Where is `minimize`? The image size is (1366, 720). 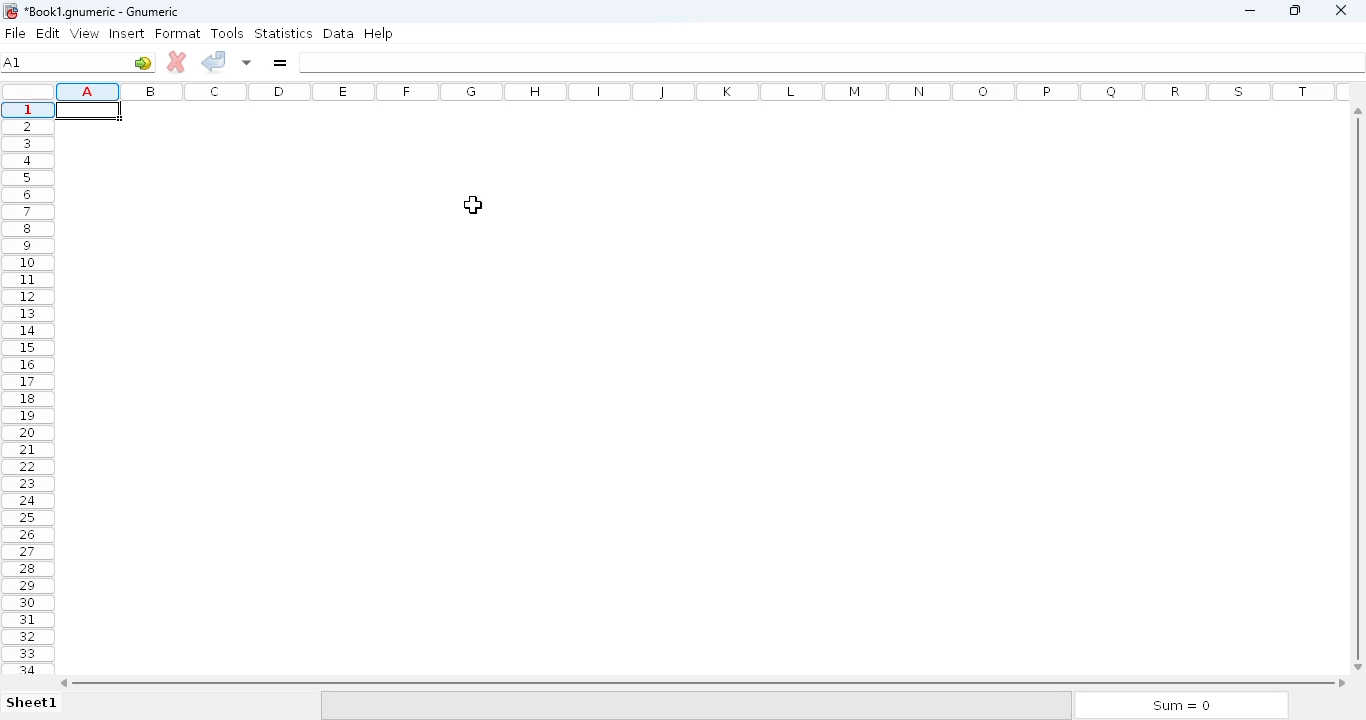 minimize is located at coordinates (1251, 11).